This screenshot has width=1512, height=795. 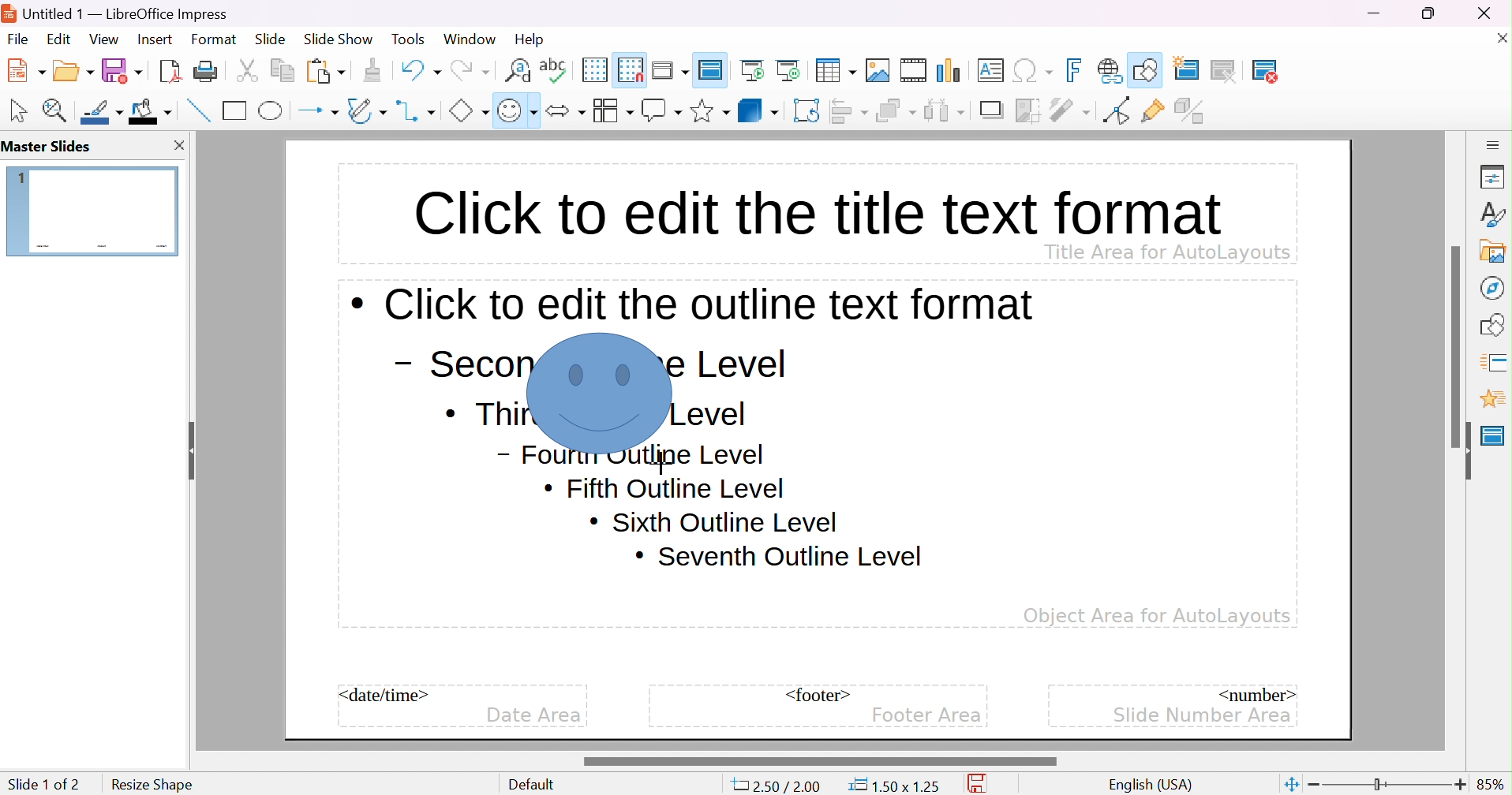 What do you see at coordinates (1235, 71) in the screenshot?
I see `duplicate slide` at bounding box center [1235, 71].